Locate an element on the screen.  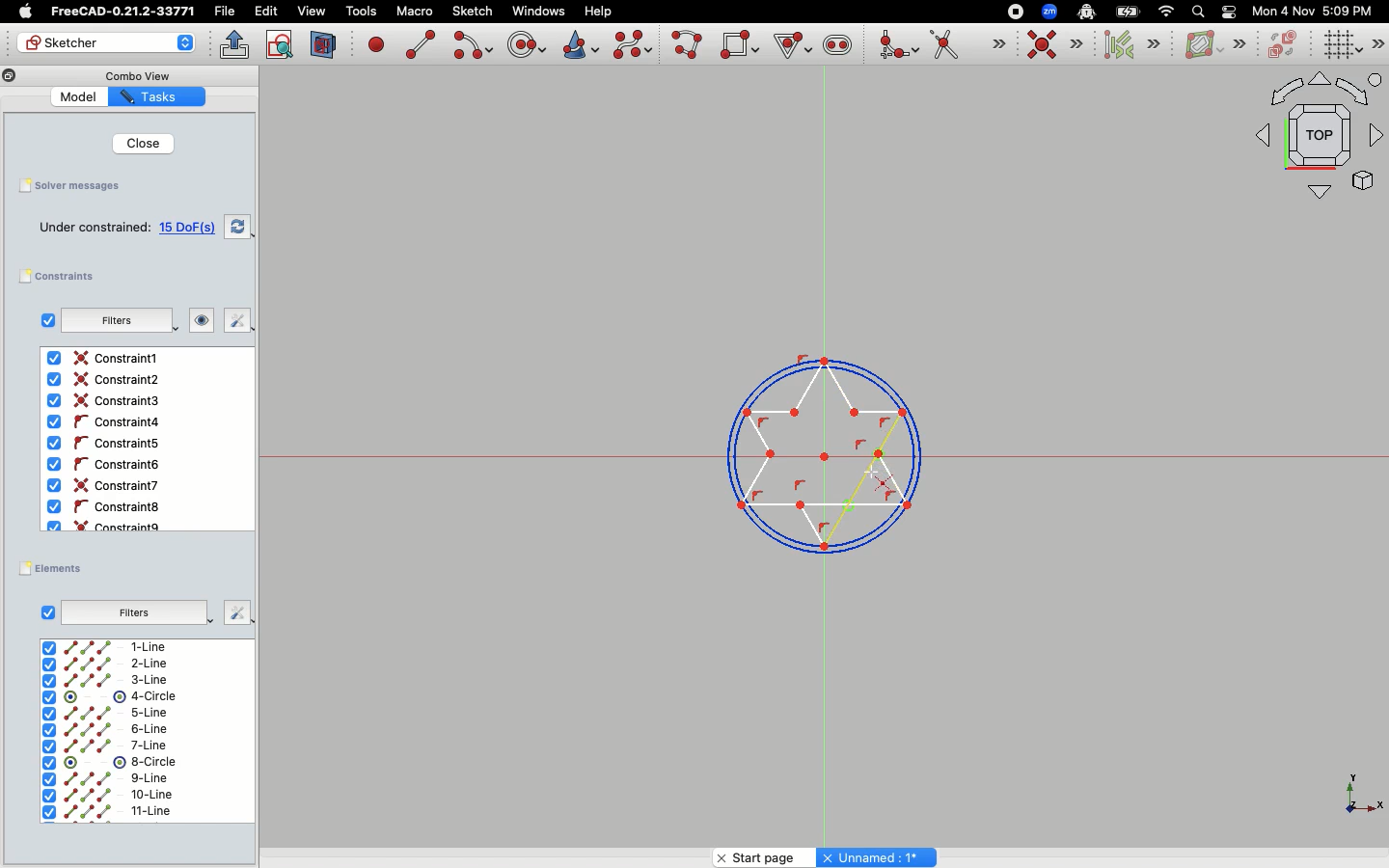
Combo View is located at coordinates (134, 75).